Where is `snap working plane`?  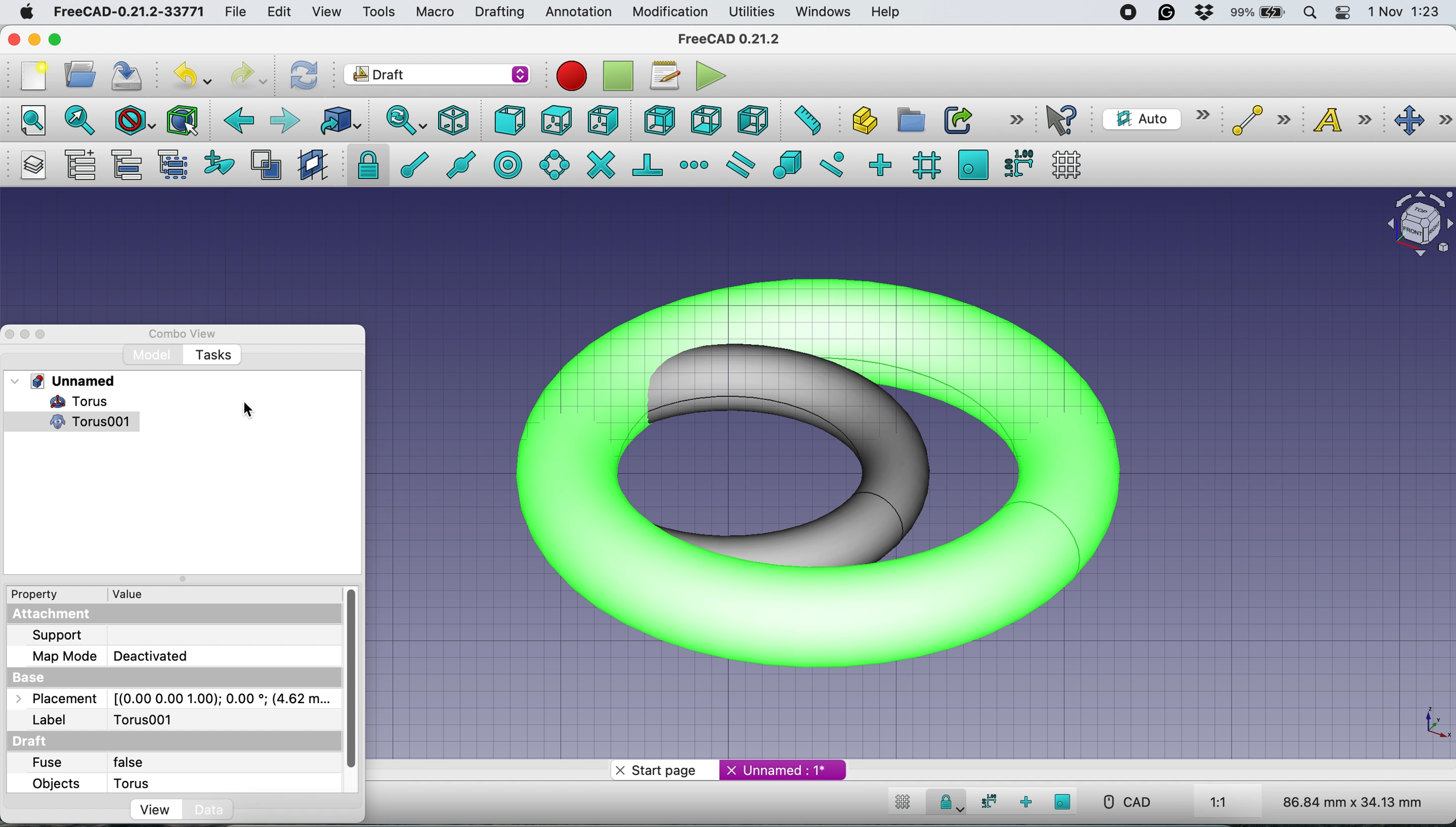
snap working plane is located at coordinates (973, 164).